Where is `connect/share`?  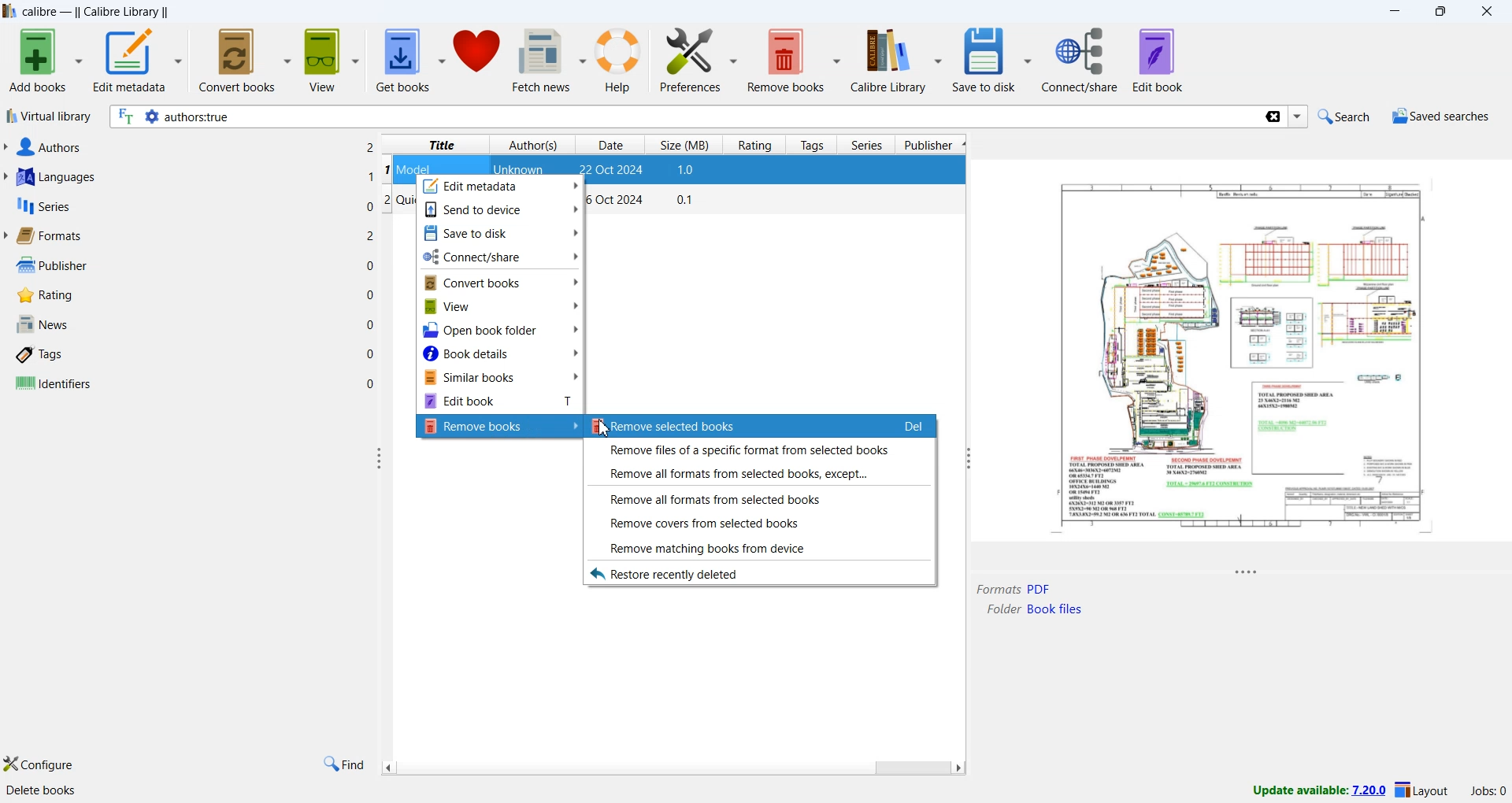
connect/share is located at coordinates (1083, 60).